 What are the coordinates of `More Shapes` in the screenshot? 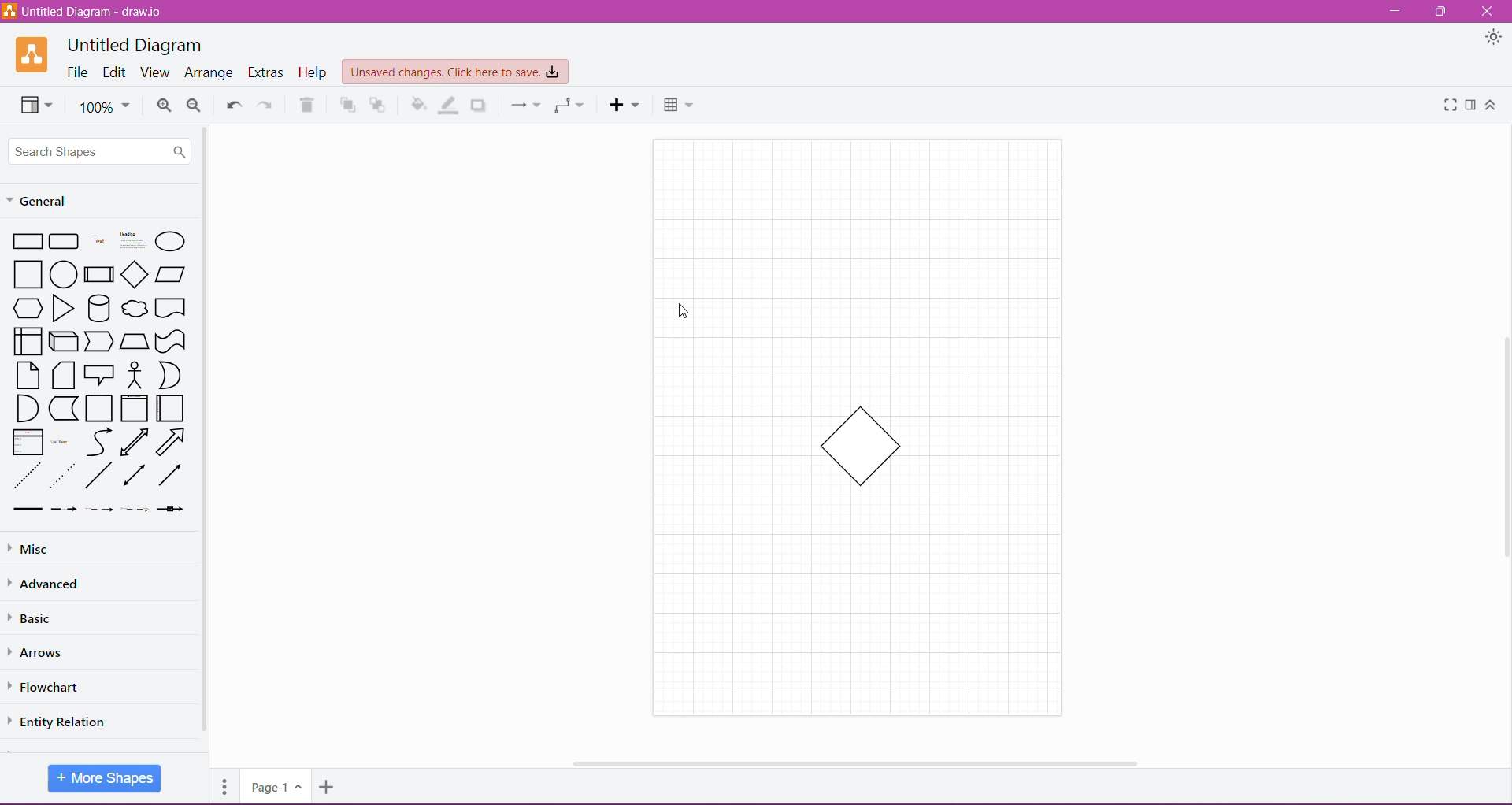 It's located at (105, 779).